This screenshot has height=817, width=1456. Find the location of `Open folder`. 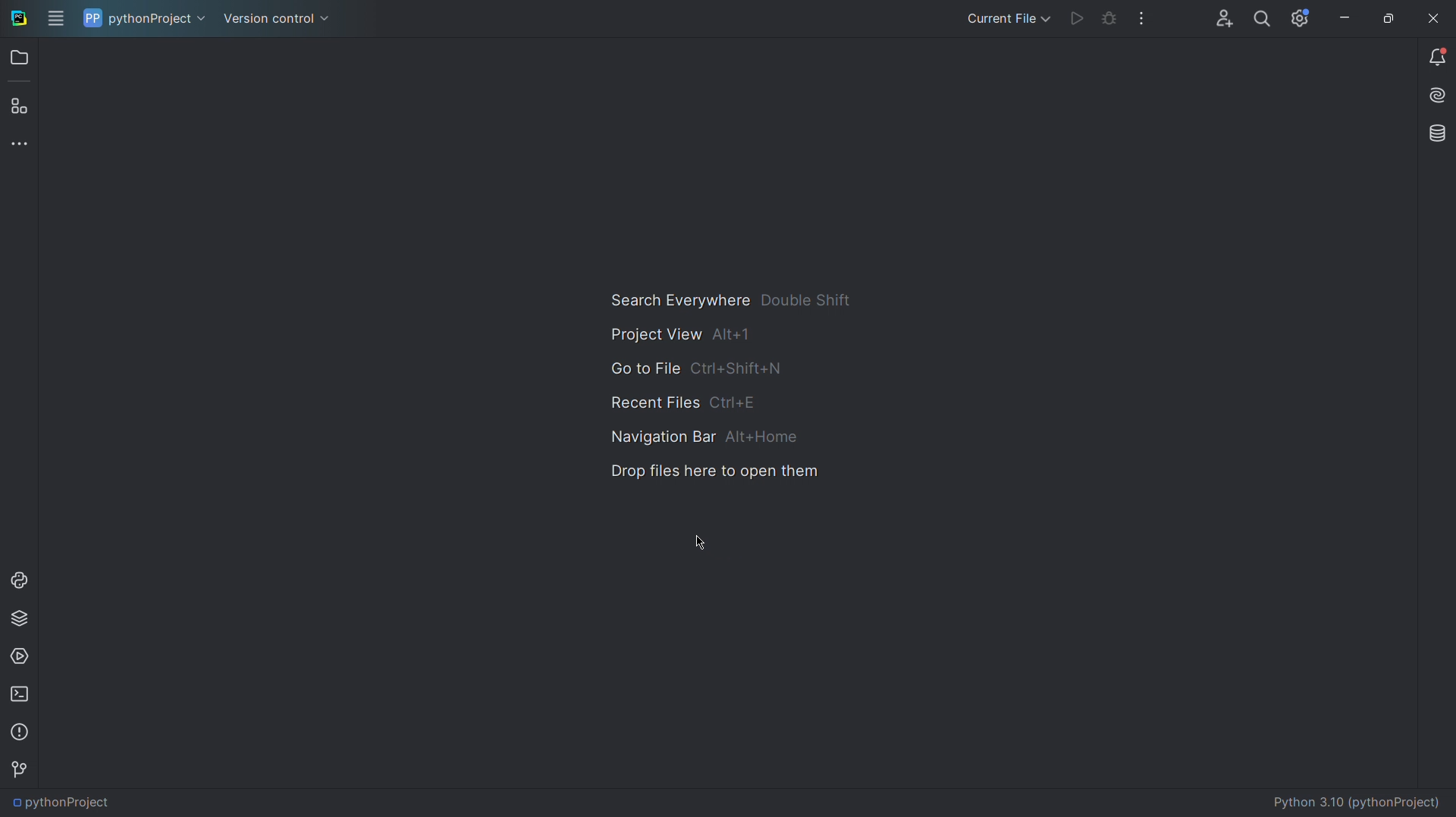

Open folder is located at coordinates (23, 61).